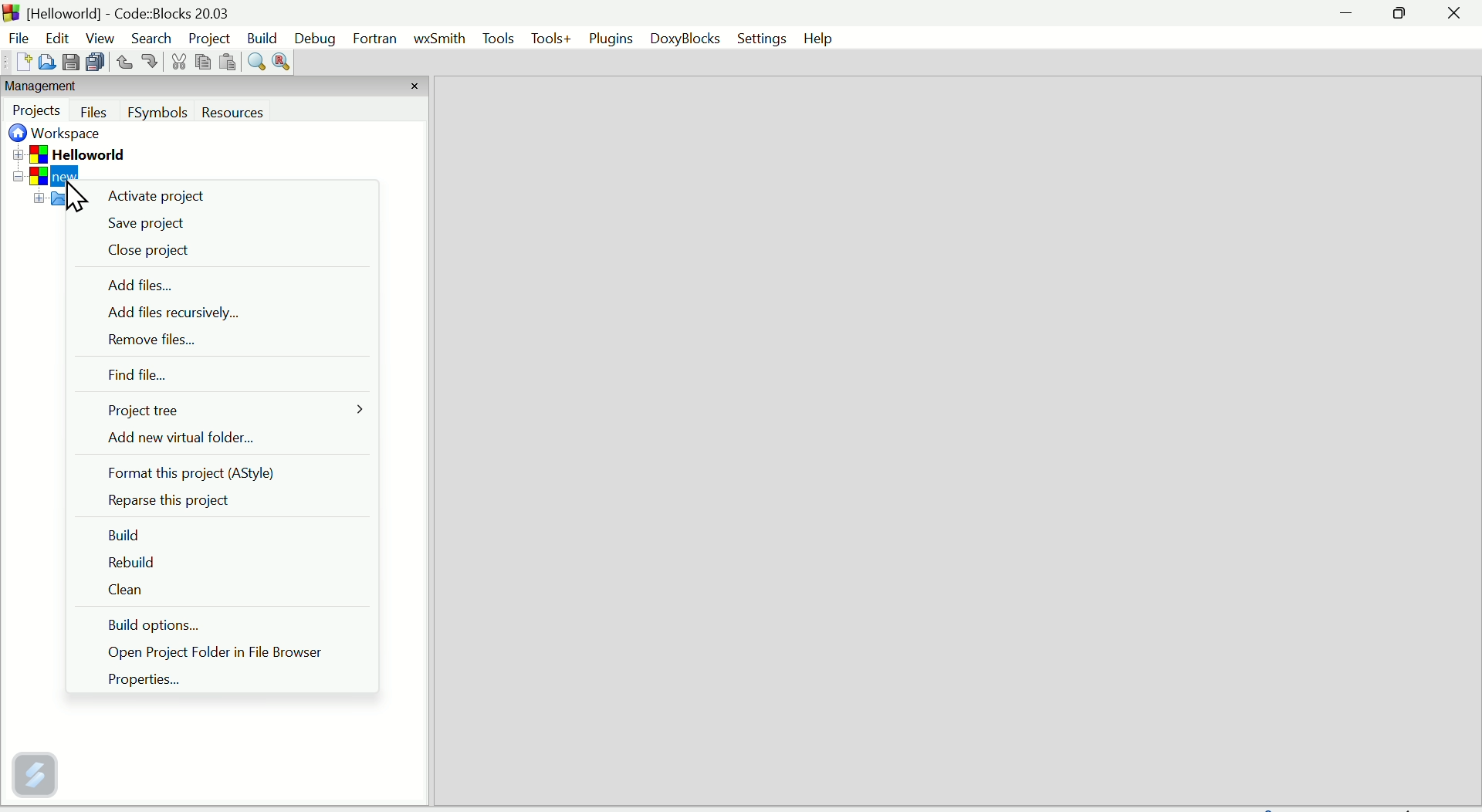 This screenshot has height=812, width=1482. I want to click on Hello World, so click(91, 154).